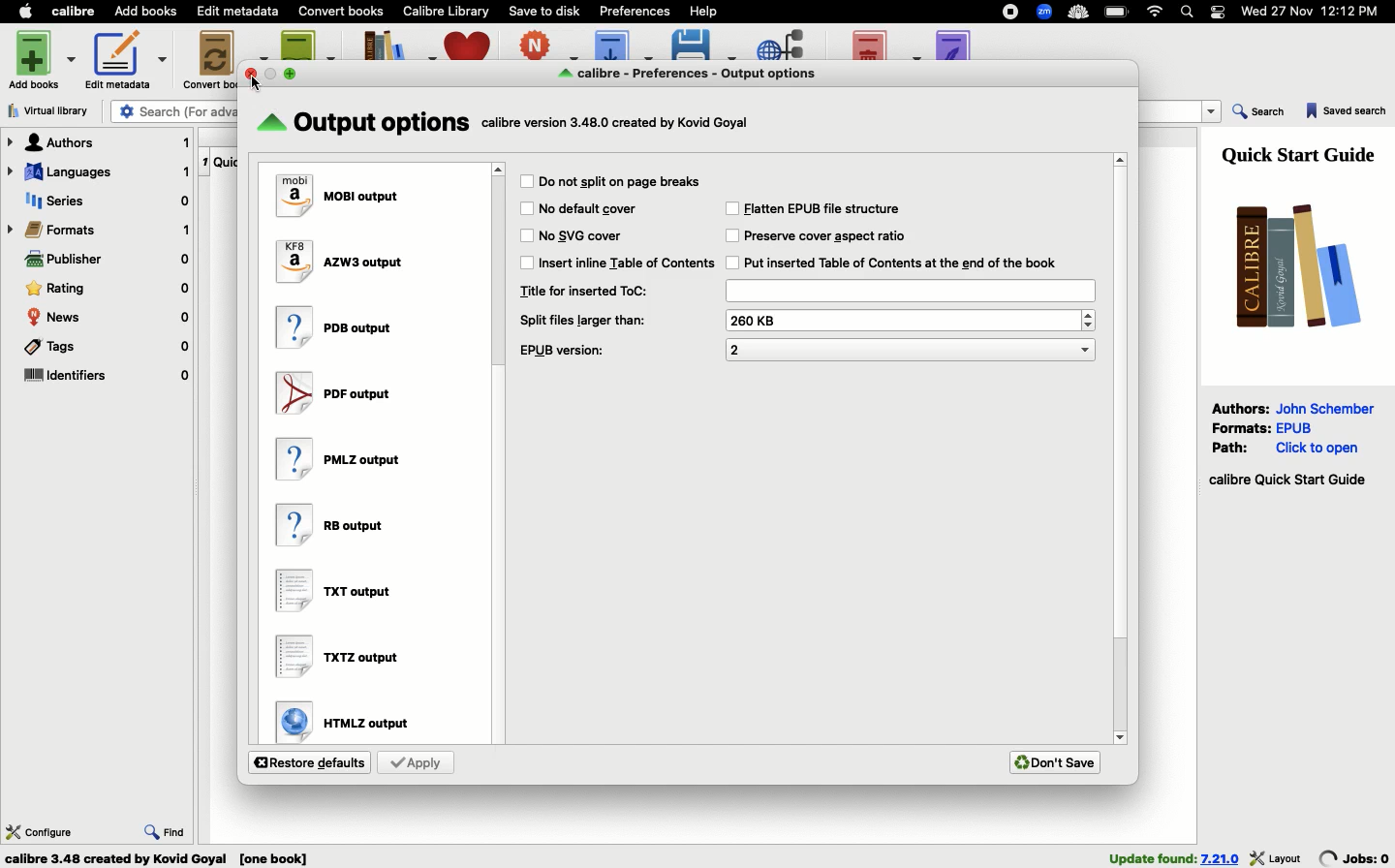  I want to click on Preferences, so click(636, 10).